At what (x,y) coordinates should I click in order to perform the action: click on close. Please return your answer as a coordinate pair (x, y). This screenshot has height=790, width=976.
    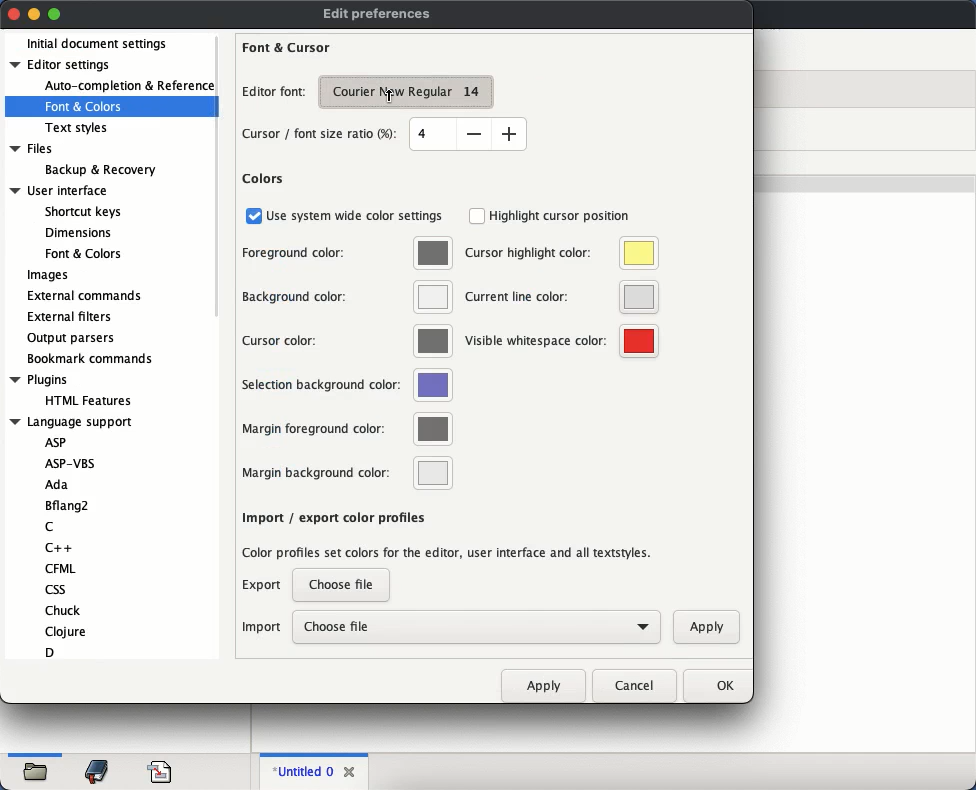
    Looking at the image, I should click on (14, 13).